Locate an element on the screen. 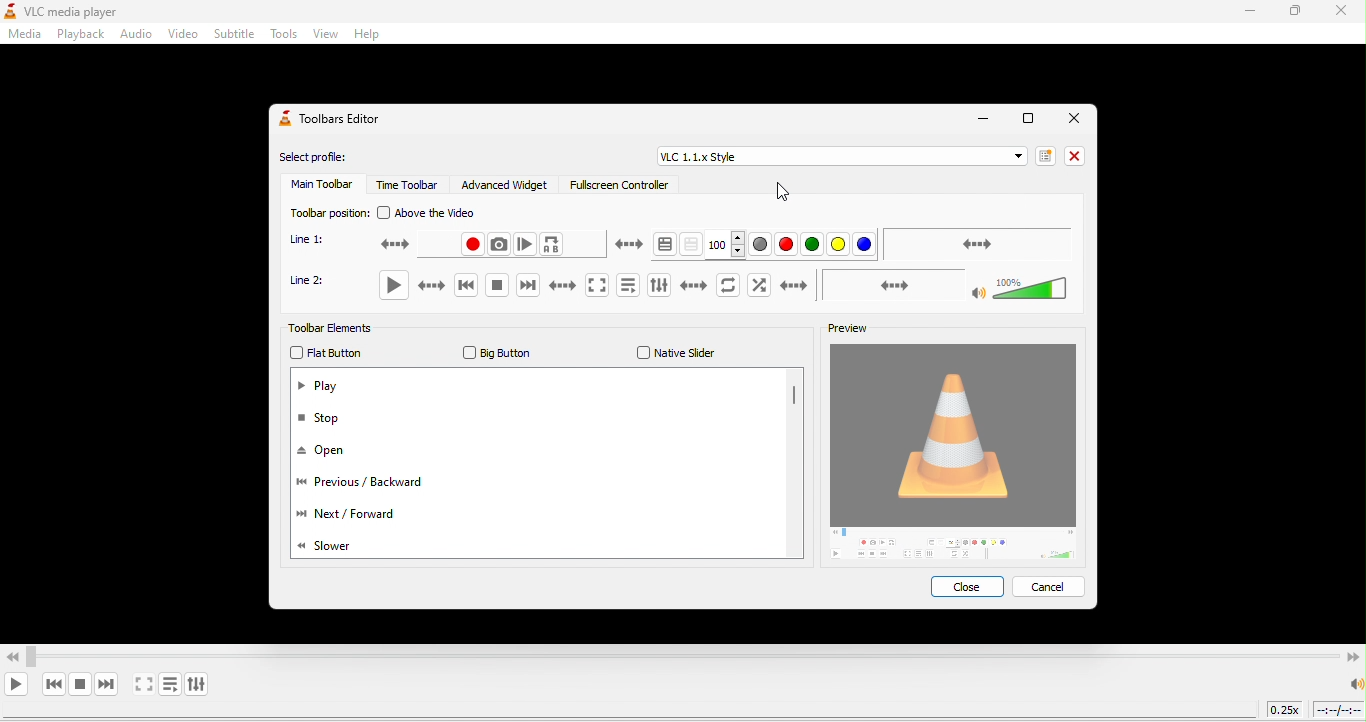  frame by frame is located at coordinates (792, 285).